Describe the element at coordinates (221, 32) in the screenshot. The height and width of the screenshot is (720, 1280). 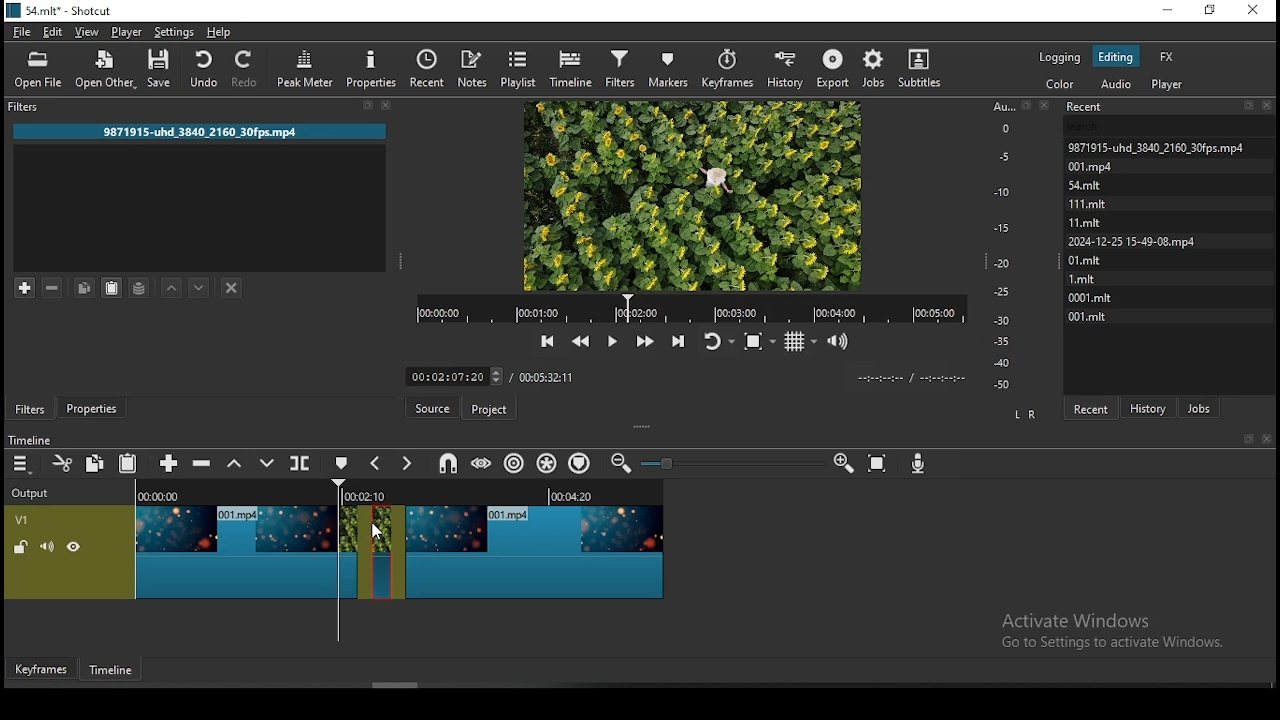
I see `help` at that location.